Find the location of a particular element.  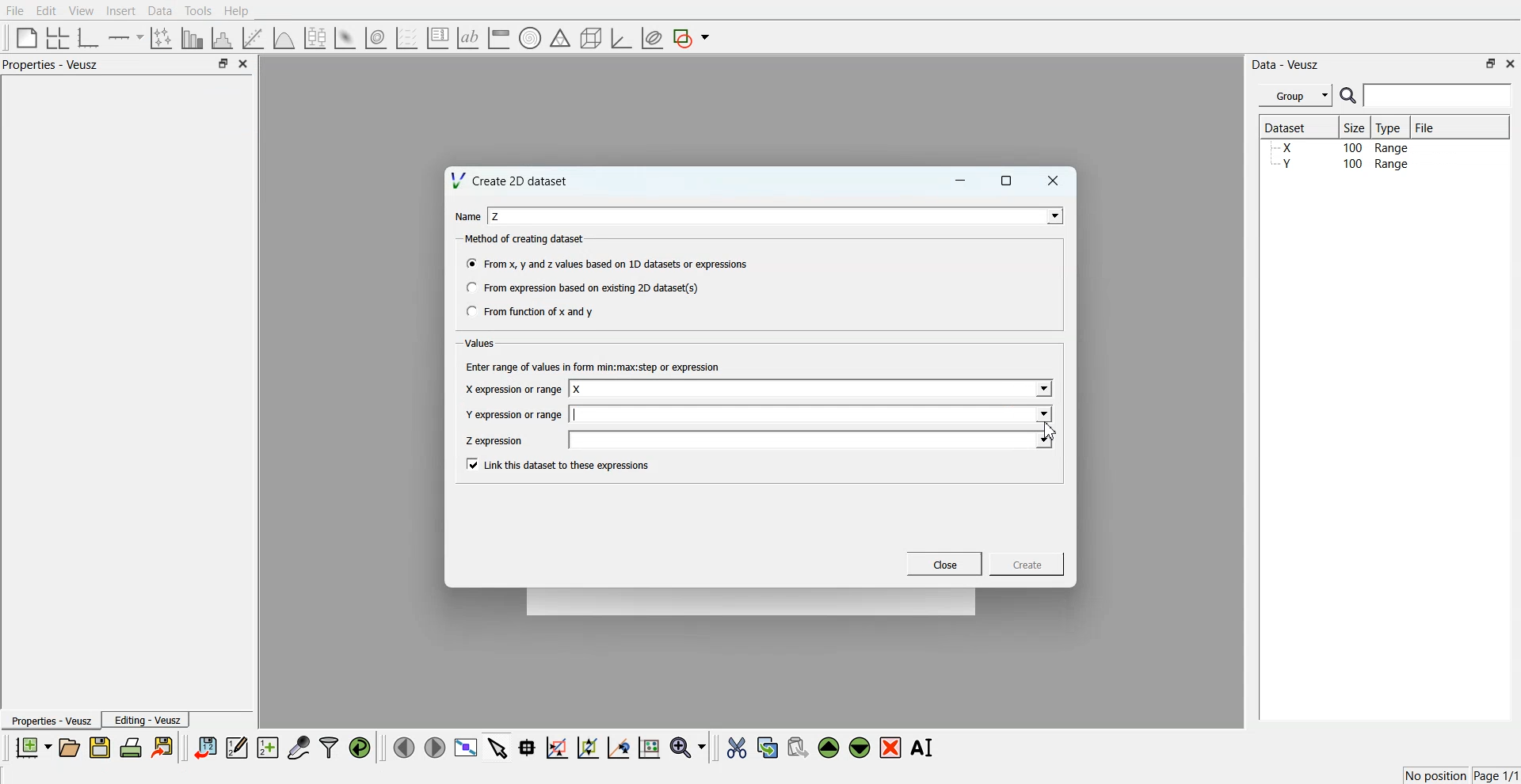

Minimize is located at coordinates (960, 181).